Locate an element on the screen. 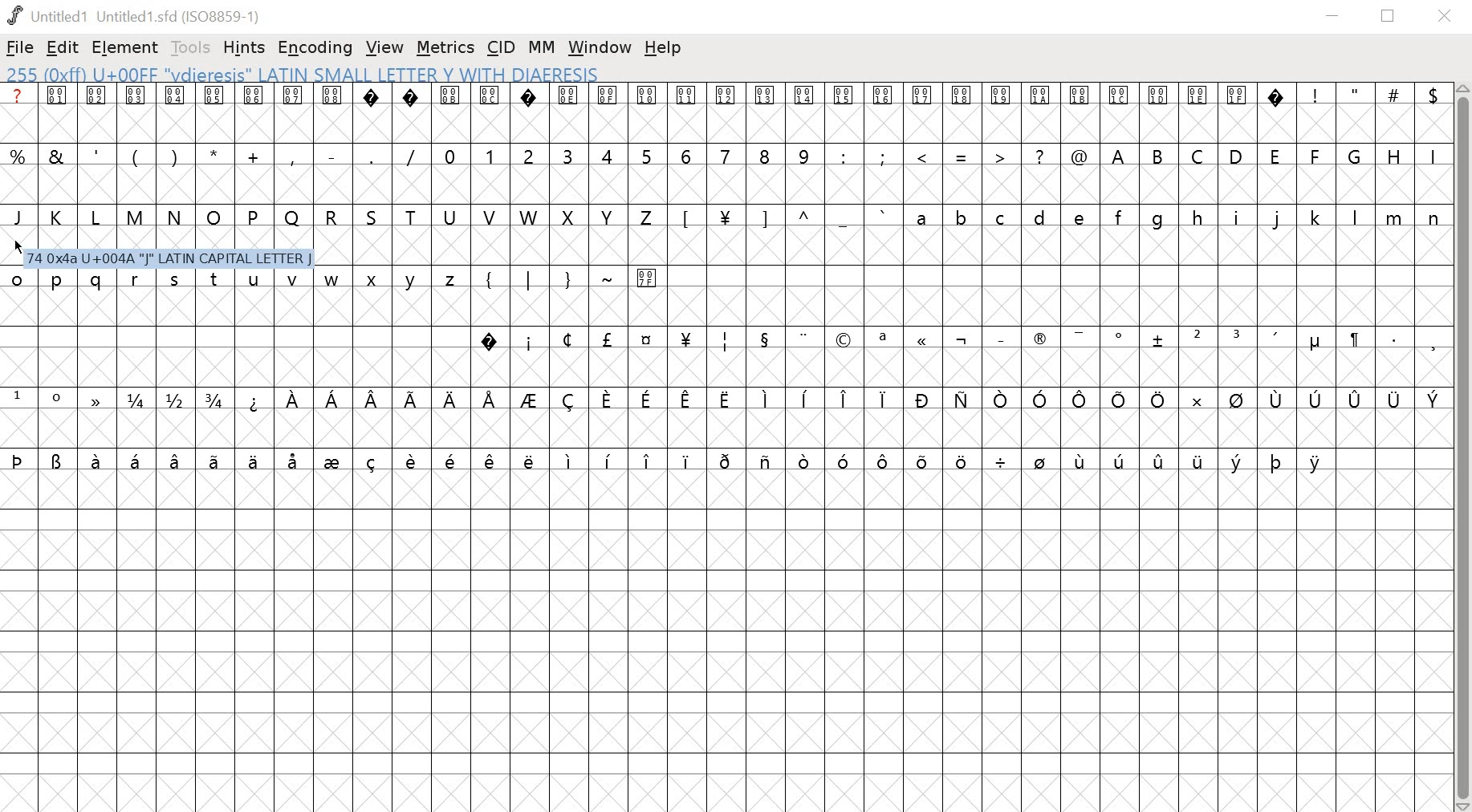 This screenshot has width=1472, height=812. numbers is located at coordinates (626, 155).